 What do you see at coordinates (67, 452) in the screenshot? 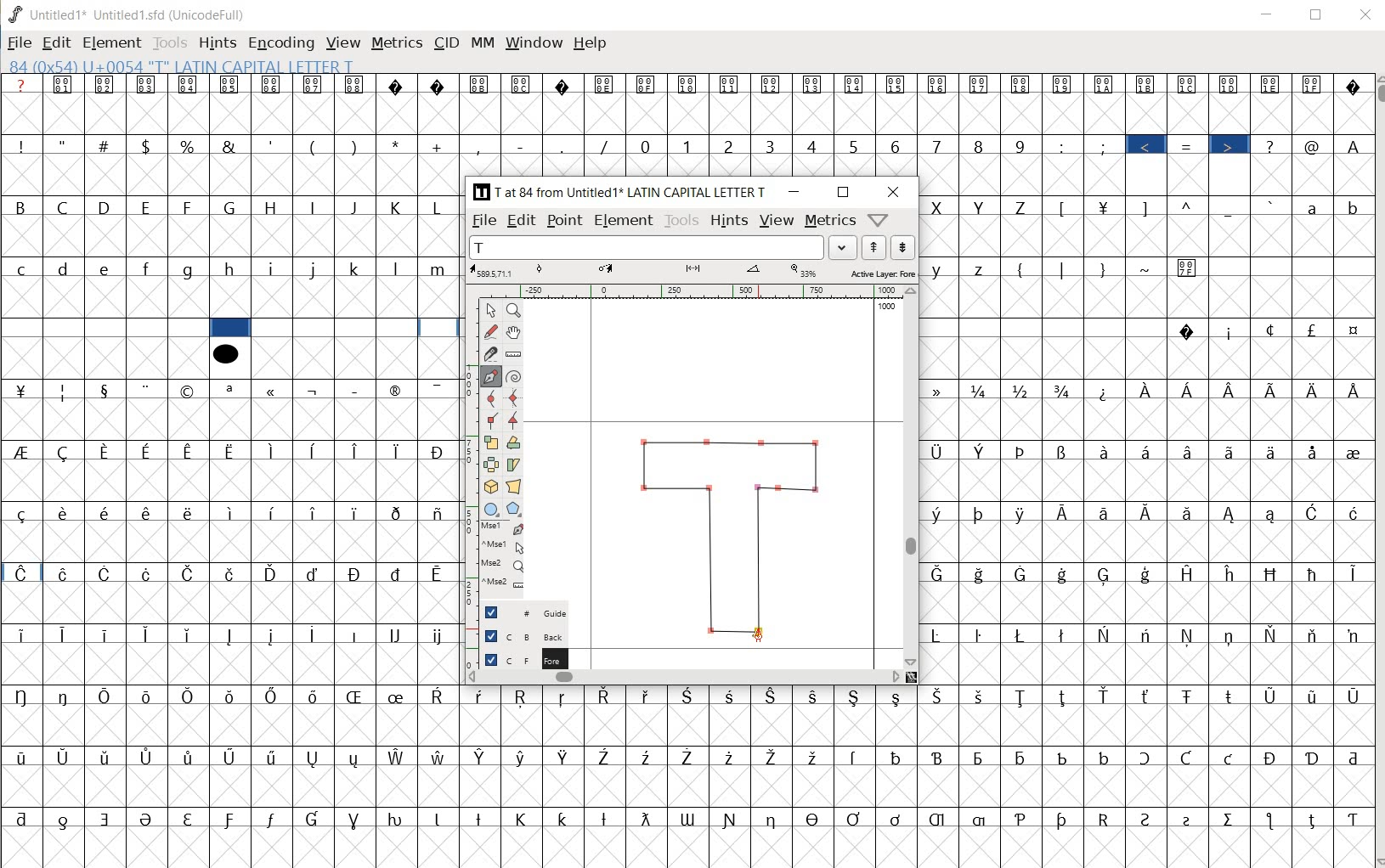
I see `Symbol` at bounding box center [67, 452].